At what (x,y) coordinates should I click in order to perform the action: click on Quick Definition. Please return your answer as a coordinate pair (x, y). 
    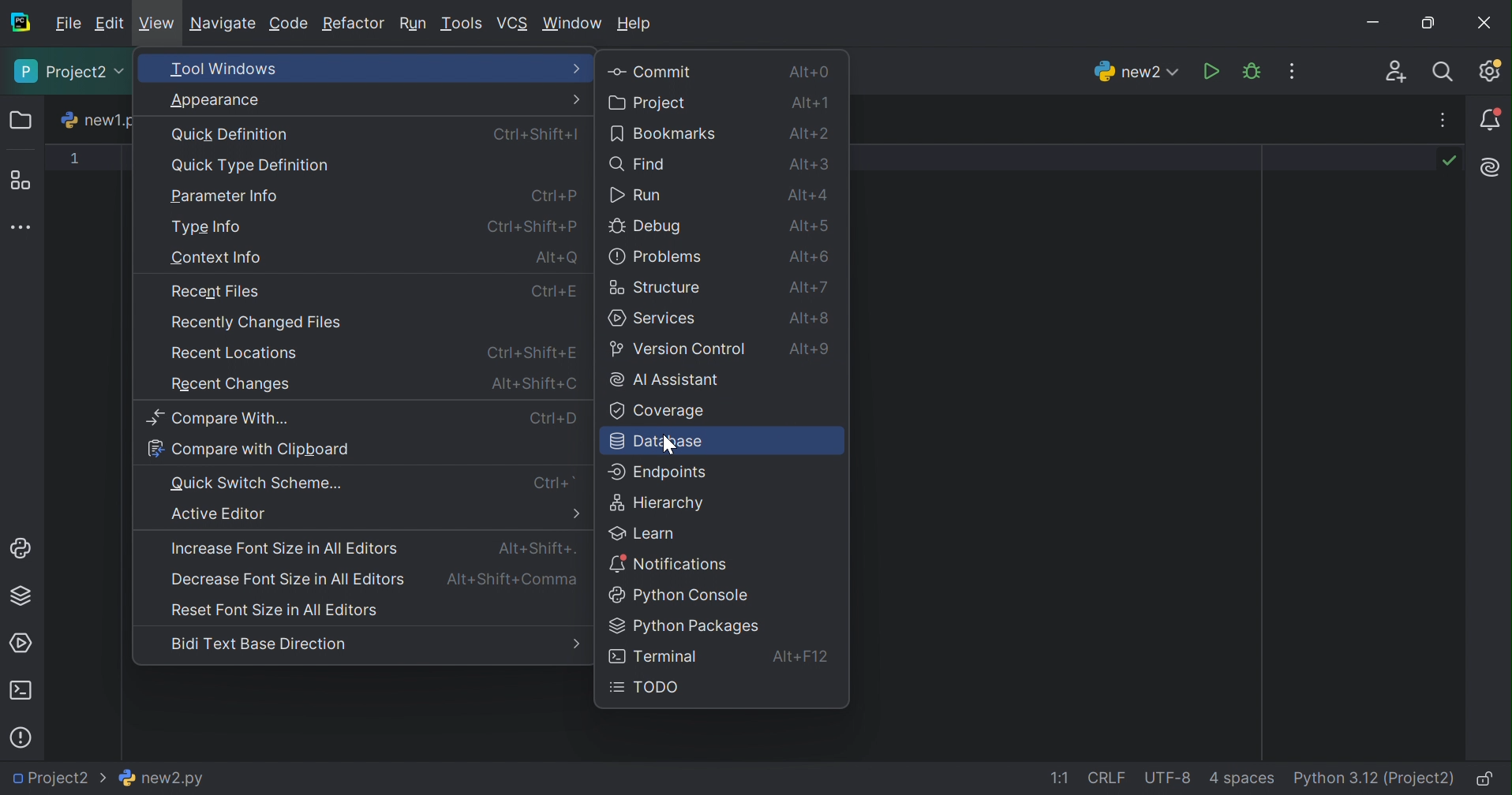
    Looking at the image, I should click on (230, 133).